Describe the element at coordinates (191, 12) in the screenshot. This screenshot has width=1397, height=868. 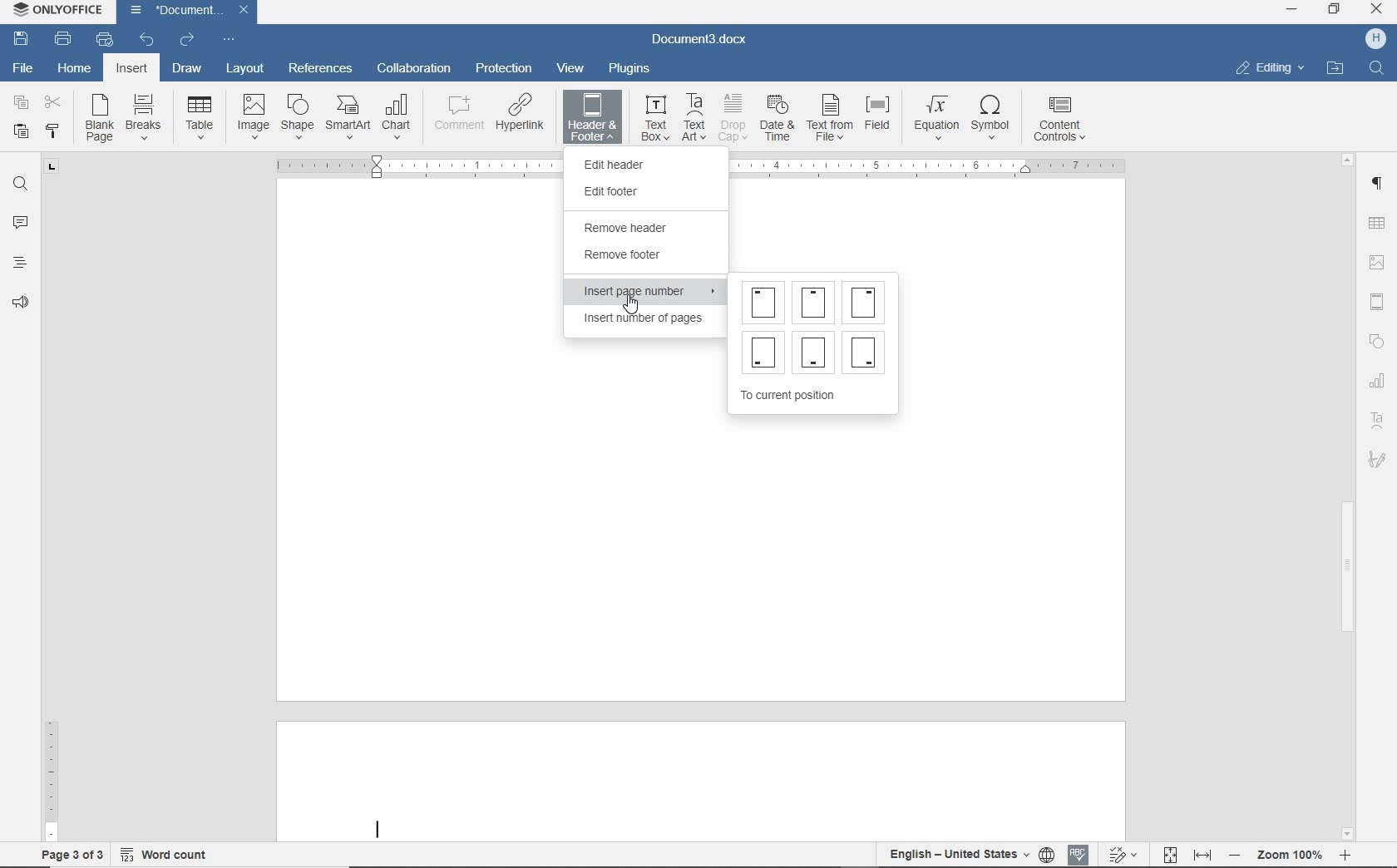
I see `DOCUMENT` at that location.